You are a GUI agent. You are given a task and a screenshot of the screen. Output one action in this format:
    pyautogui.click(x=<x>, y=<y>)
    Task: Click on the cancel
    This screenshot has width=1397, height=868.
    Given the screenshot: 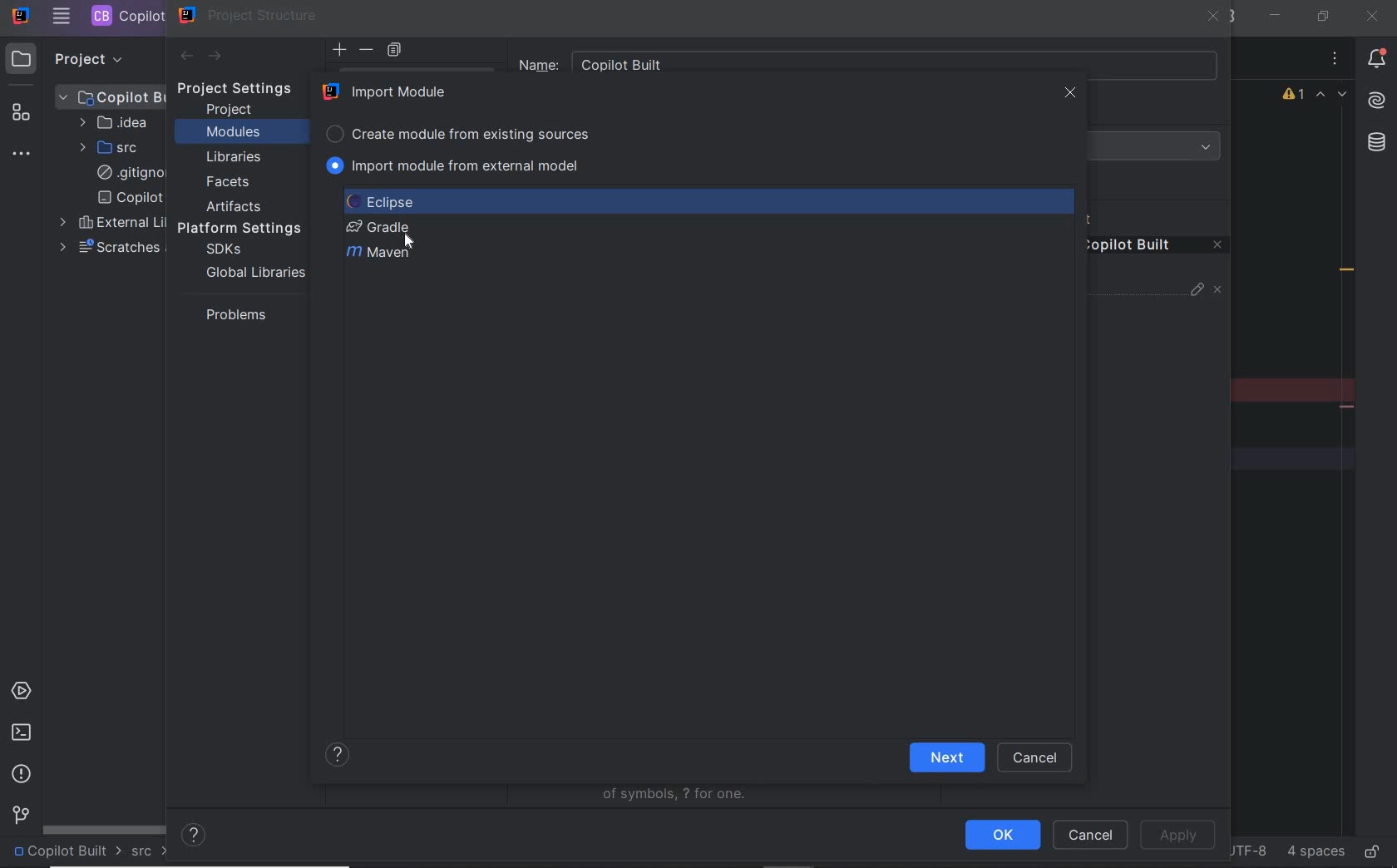 What is the action you would take?
    pyautogui.click(x=1036, y=758)
    